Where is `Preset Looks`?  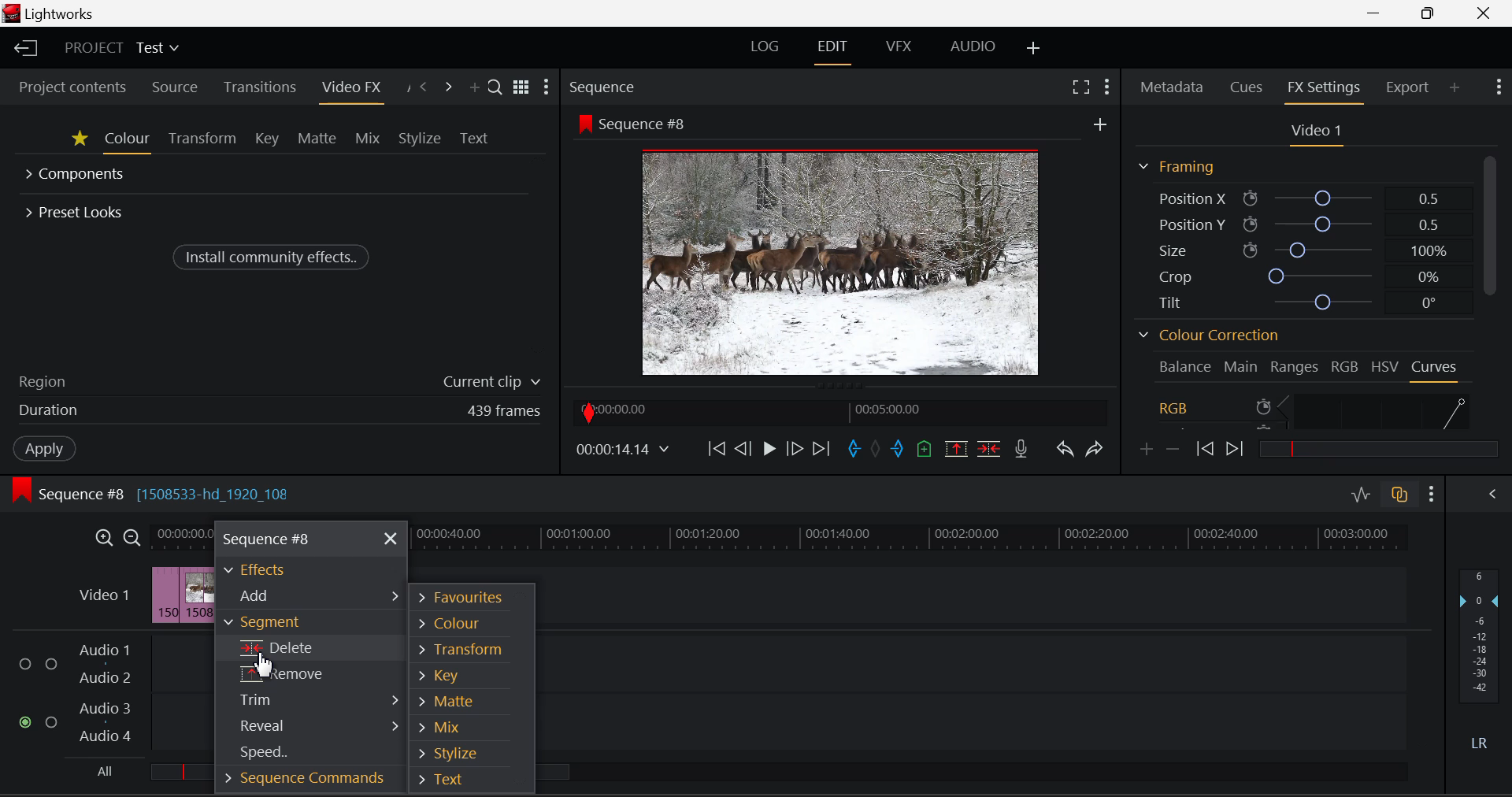
Preset Looks is located at coordinates (76, 210).